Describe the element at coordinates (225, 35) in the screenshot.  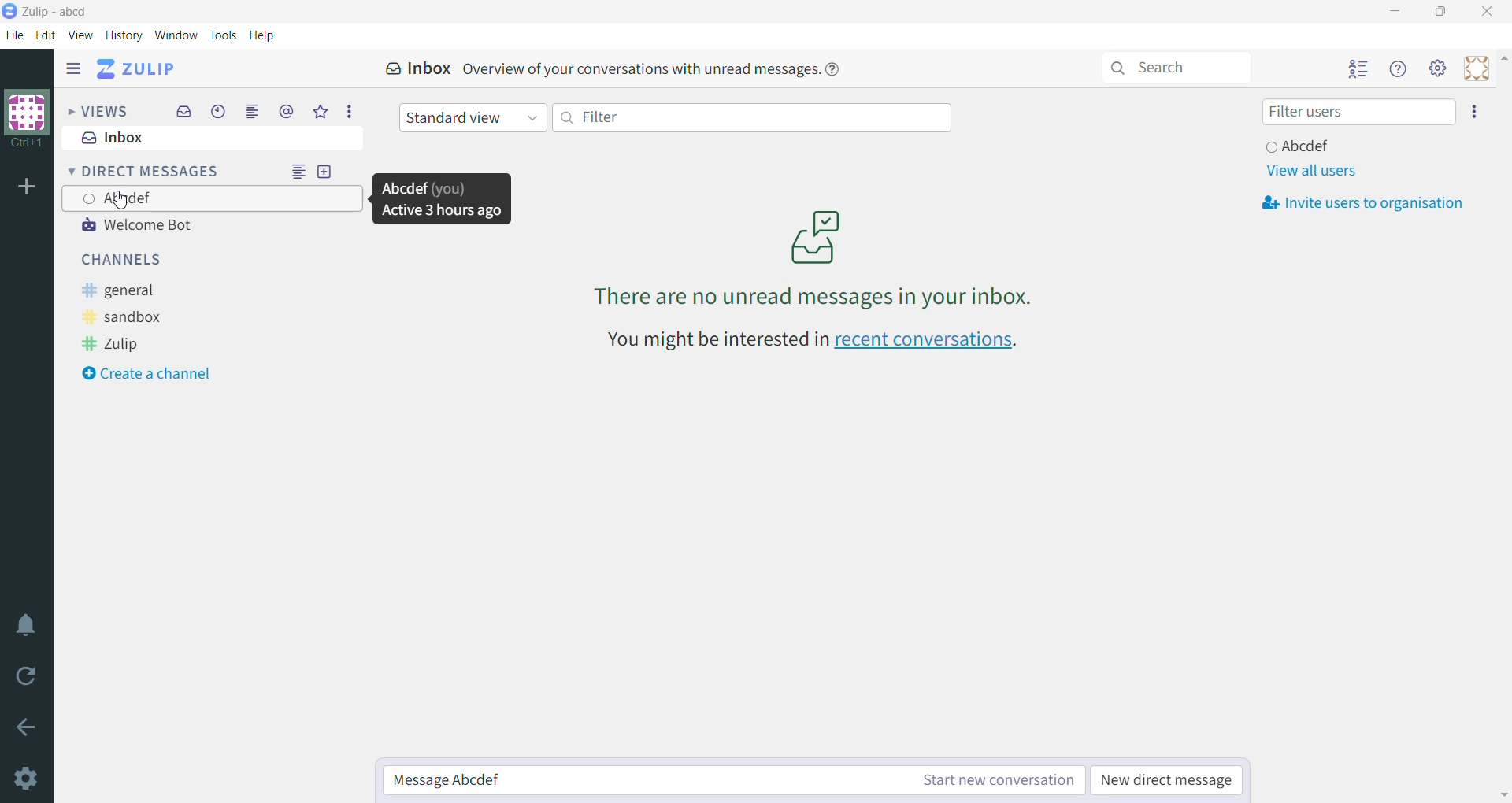
I see `Tools` at that location.